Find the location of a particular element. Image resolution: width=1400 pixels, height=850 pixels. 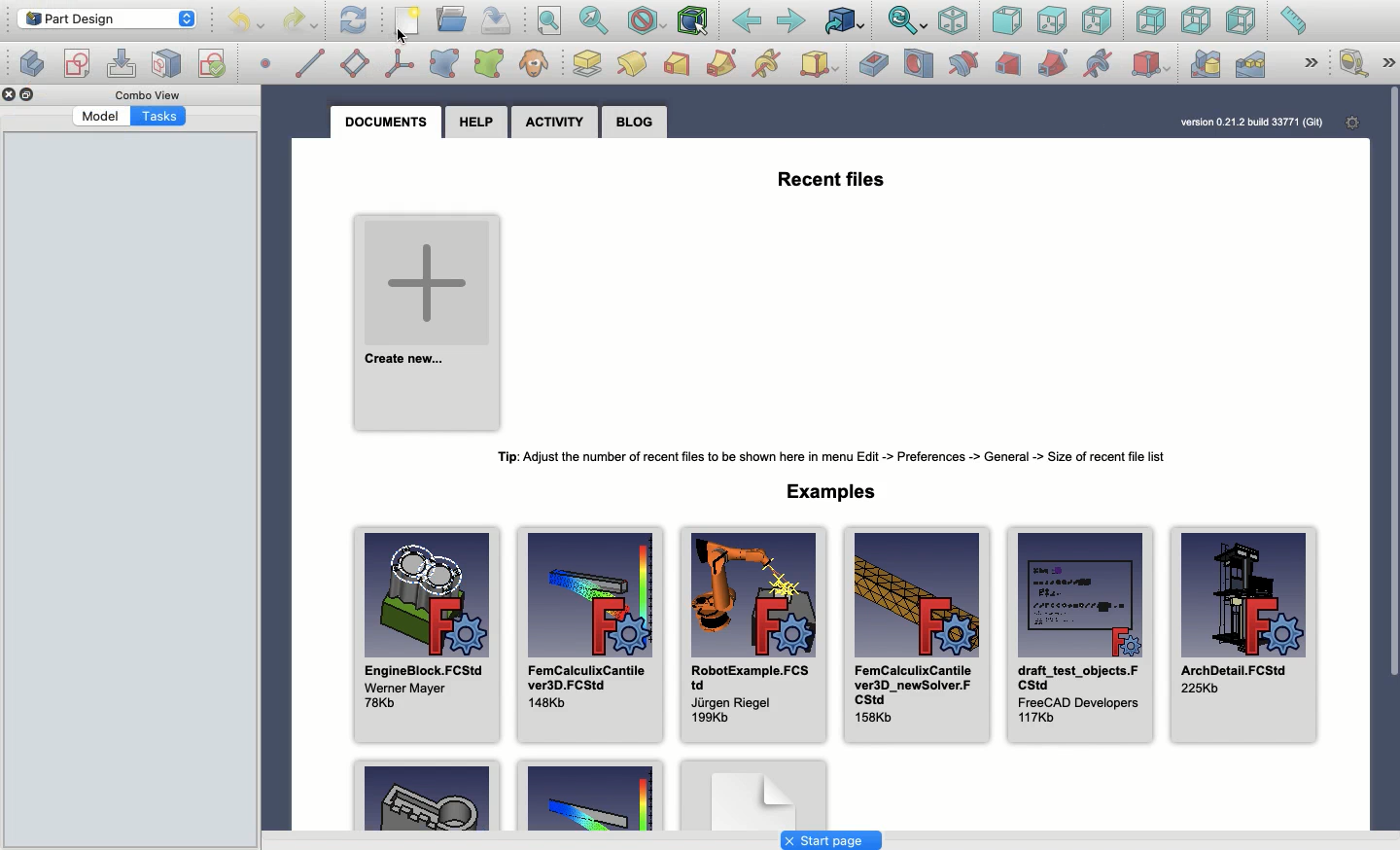

Measure linear is located at coordinates (1352, 64).